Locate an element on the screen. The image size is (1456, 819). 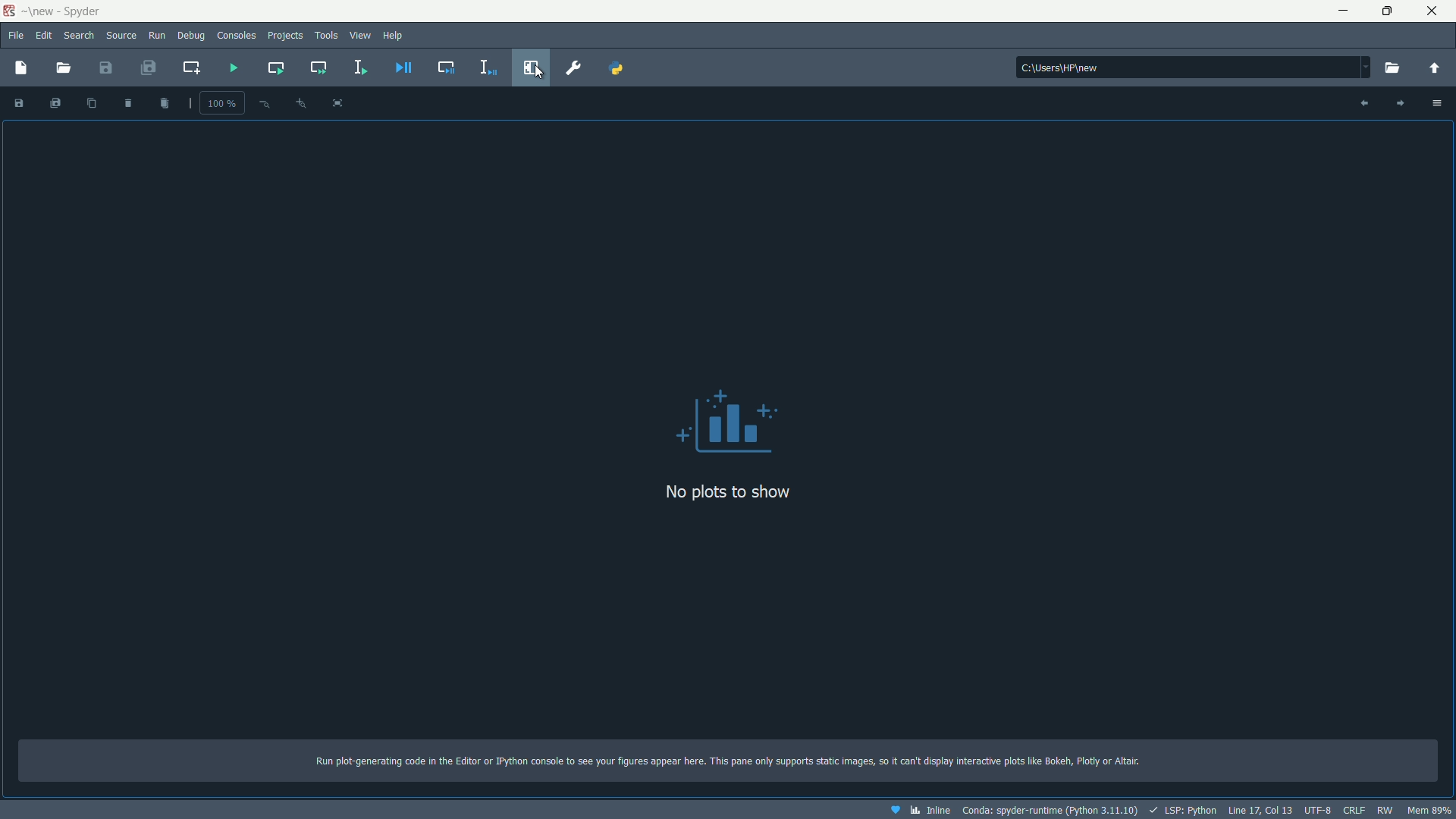
projects is located at coordinates (286, 36).